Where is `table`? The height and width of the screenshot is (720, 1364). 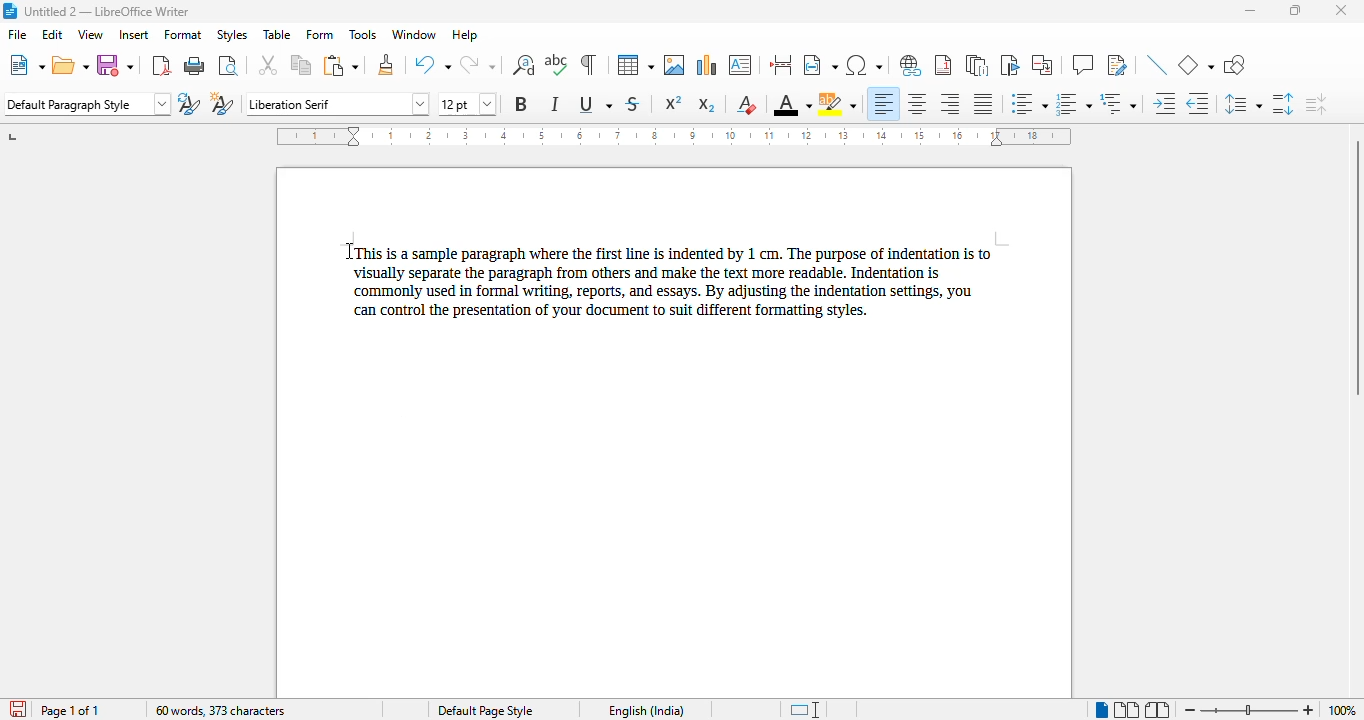
table is located at coordinates (277, 35).